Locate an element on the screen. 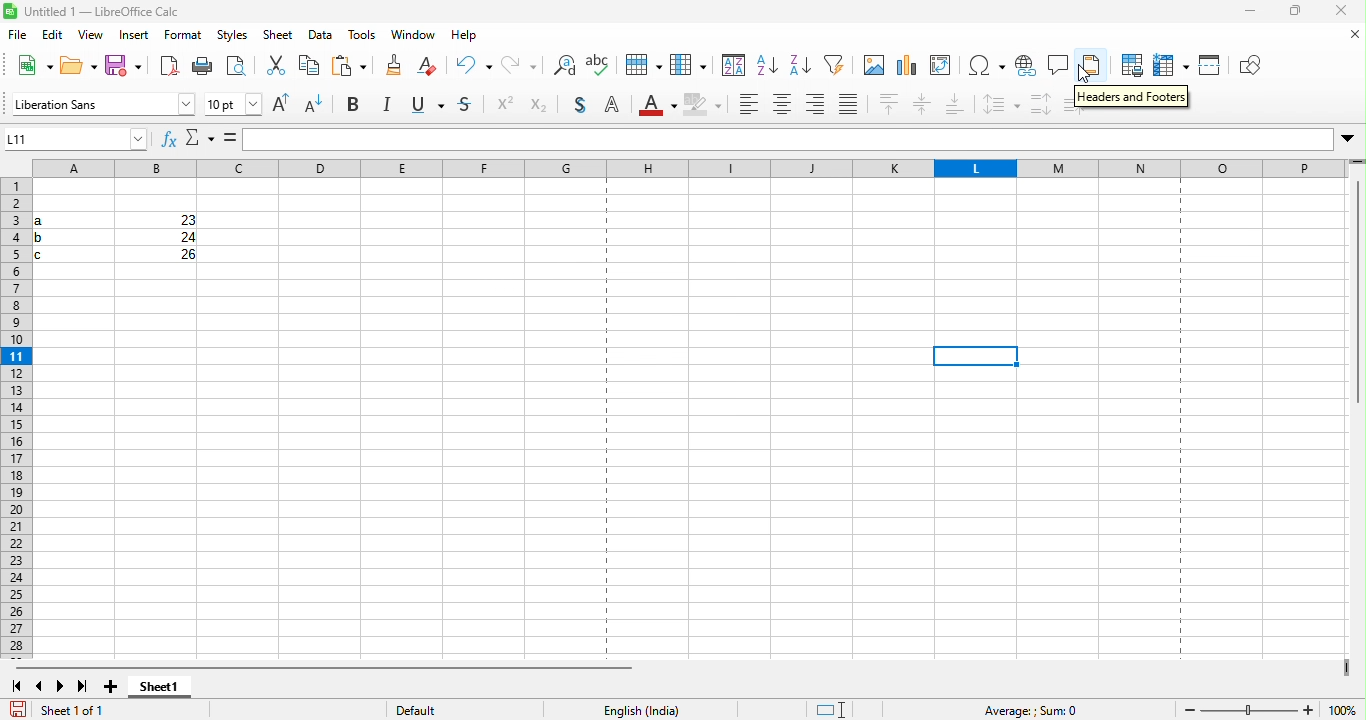  copy is located at coordinates (276, 67).